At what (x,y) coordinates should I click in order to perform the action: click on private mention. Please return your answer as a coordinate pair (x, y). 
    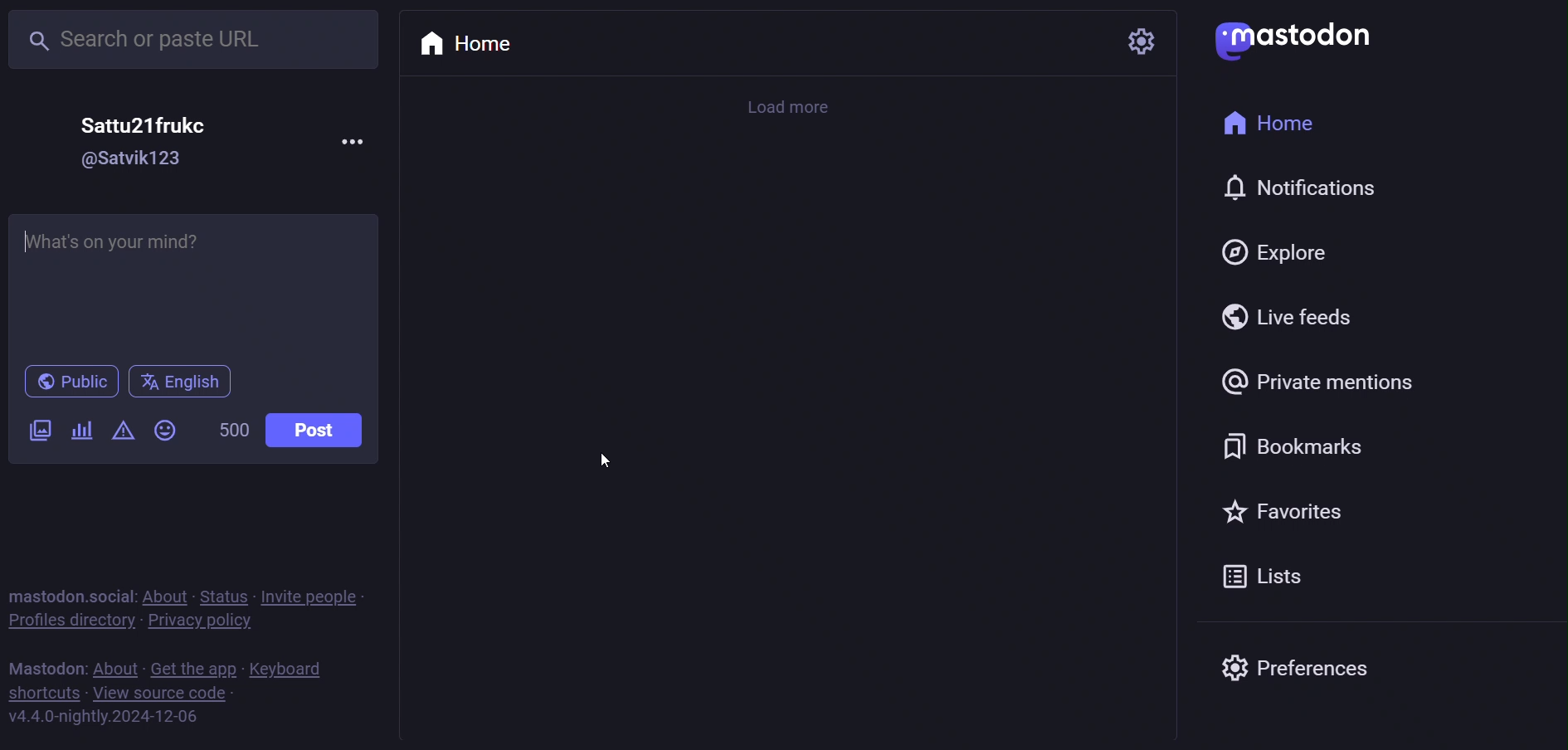
    Looking at the image, I should click on (1319, 383).